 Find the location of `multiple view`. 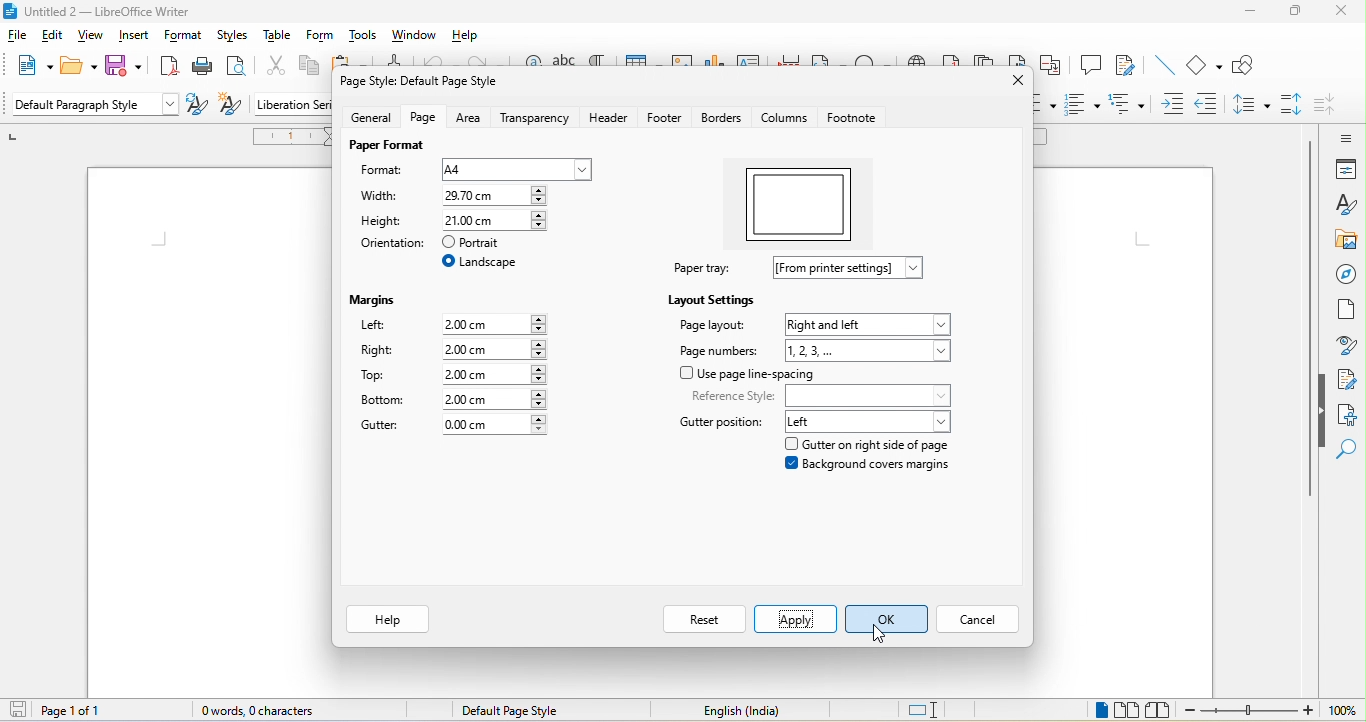

multiple view is located at coordinates (1128, 710).